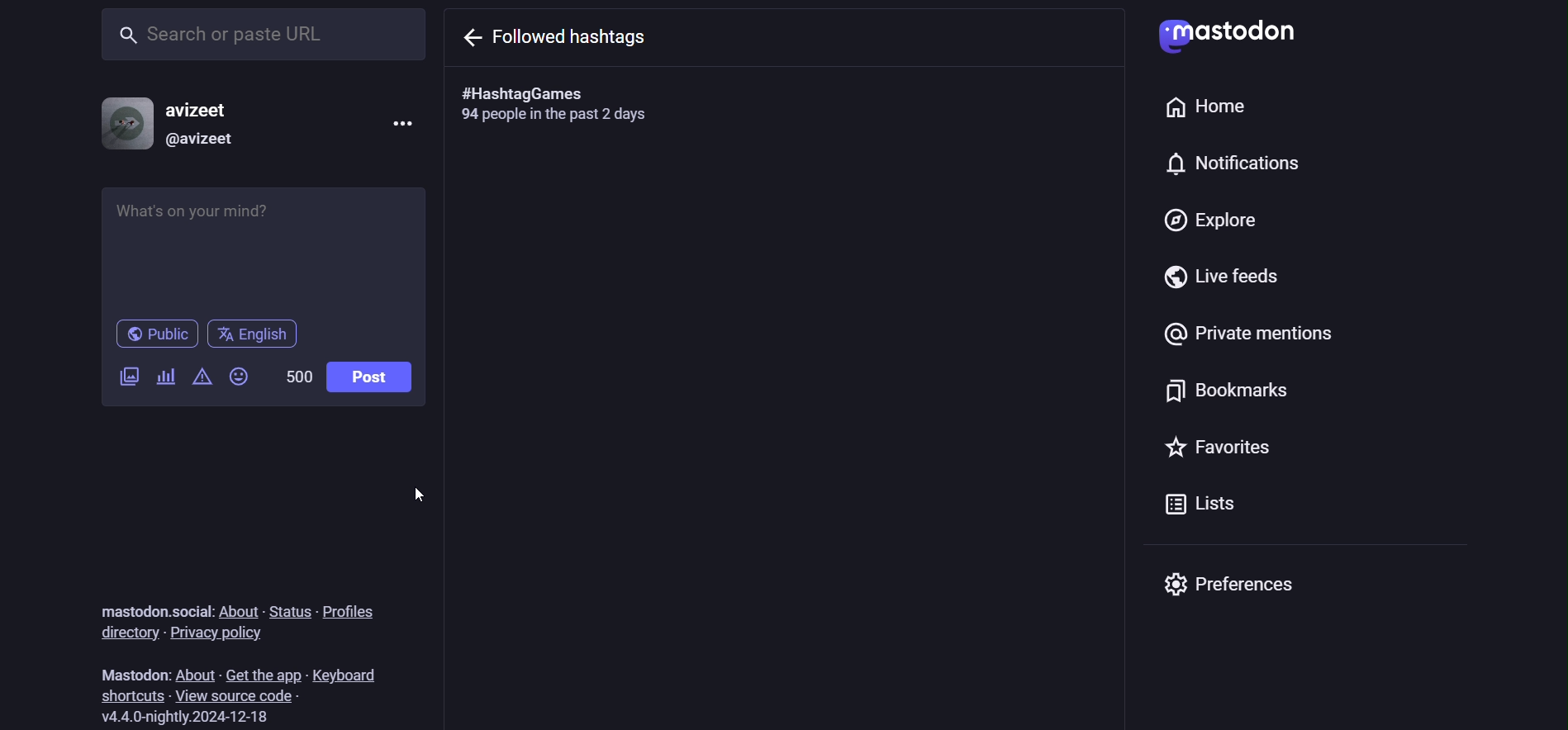  I want to click on 500, so click(298, 377).